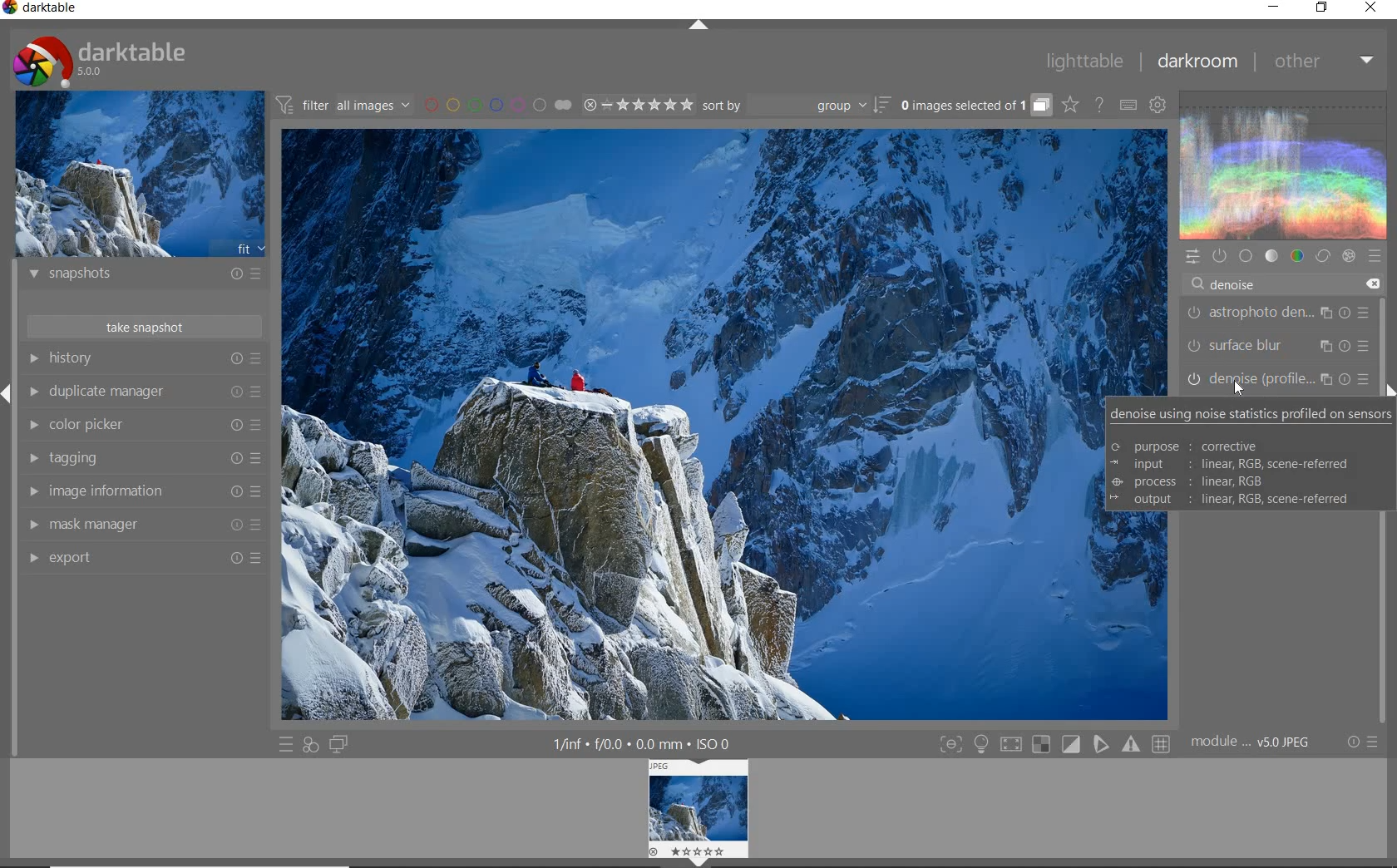 The image size is (1397, 868). Describe the element at coordinates (498, 104) in the screenshot. I see `filter images by color labels` at that location.